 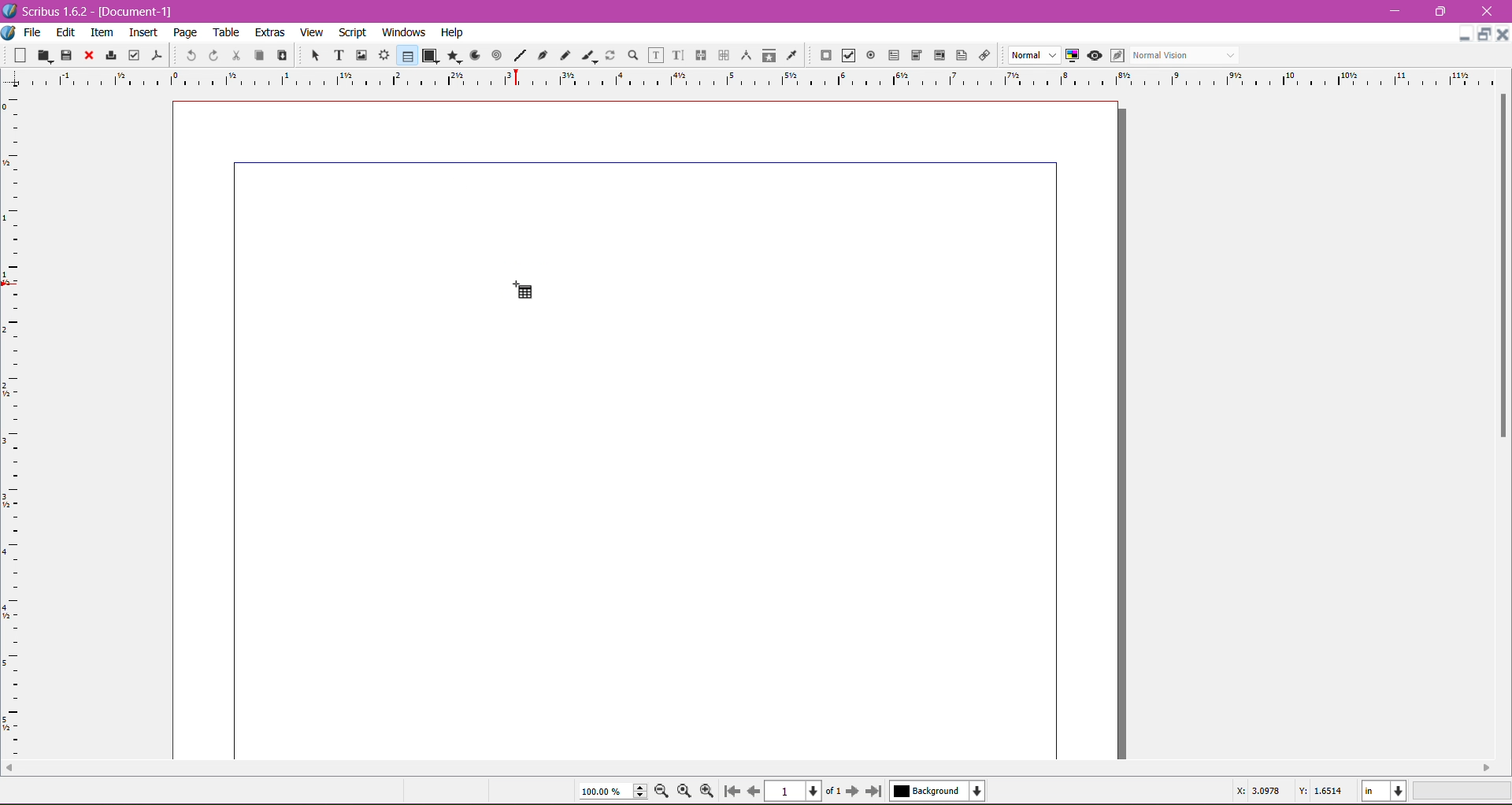 What do you see at coordinates (795, 789) in the screenshot?
I see `Current Page` at bounding box center [795, 789].